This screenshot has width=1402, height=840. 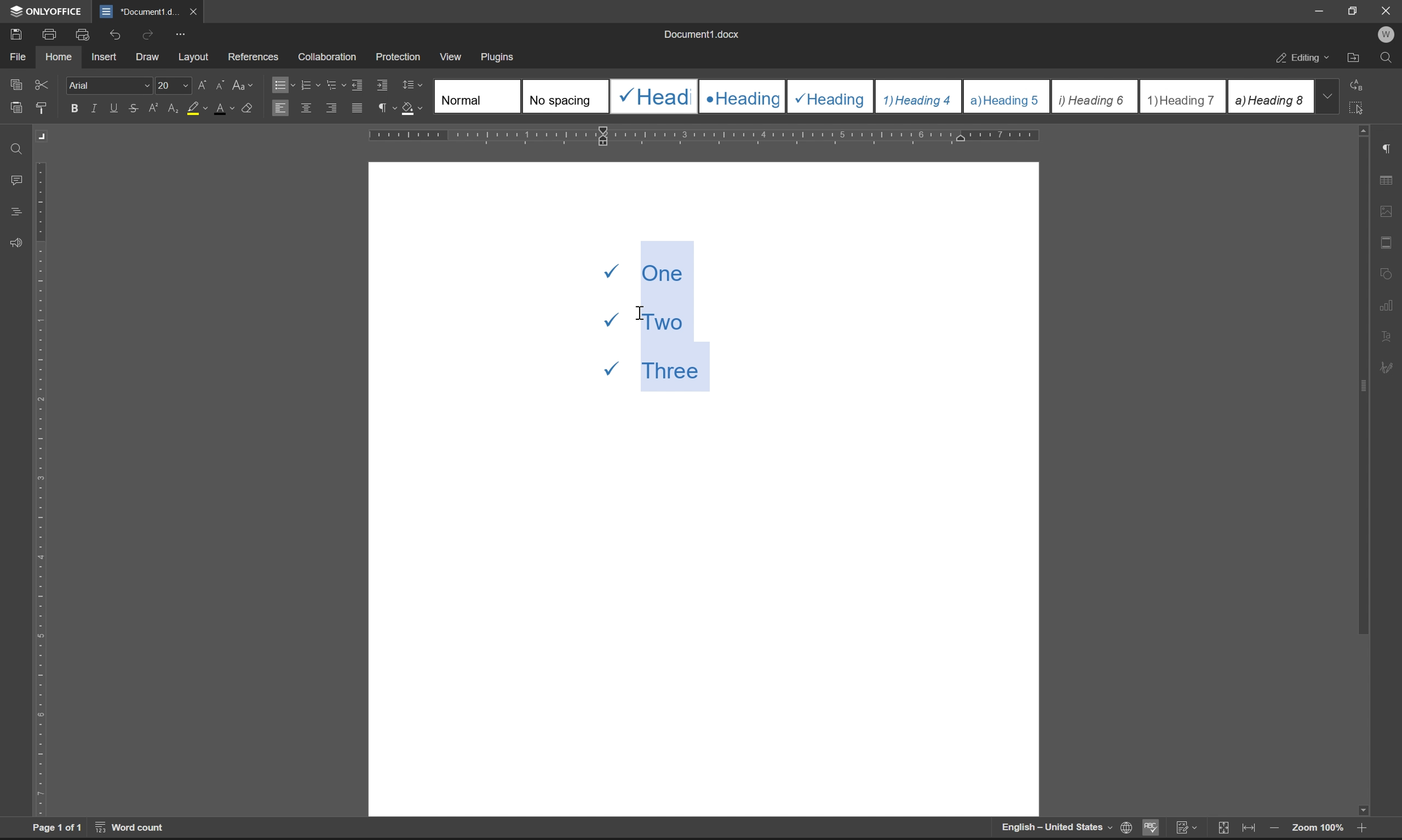 What do you see at coordinates (1386, 336) in the screenshot?
I see `text art settings` at bounding box center [1386, 336].